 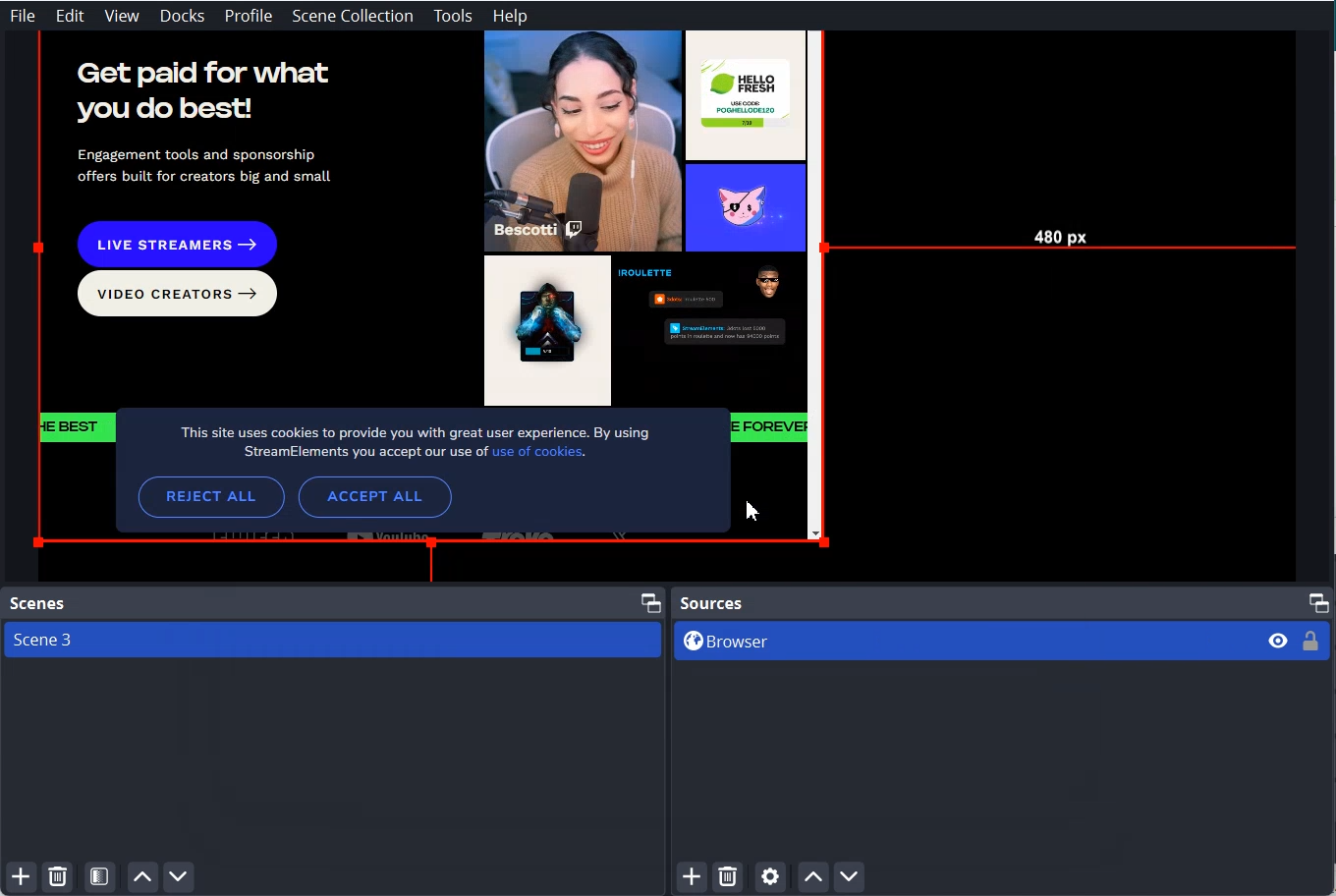 What do you see at coordinates (728, 877) in the screenshot?
I see `Remove selected Source` at bounding box center [728, 877].